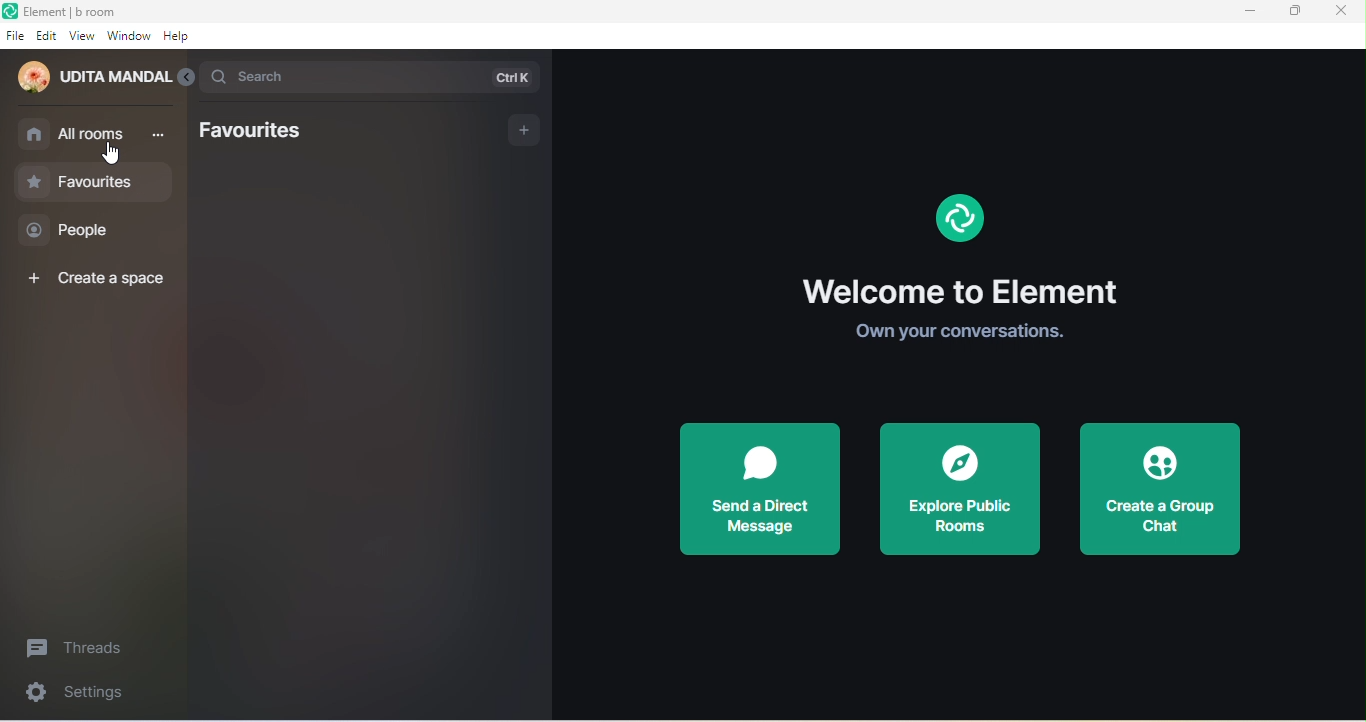  I want to click on edit, so click(48, 36).